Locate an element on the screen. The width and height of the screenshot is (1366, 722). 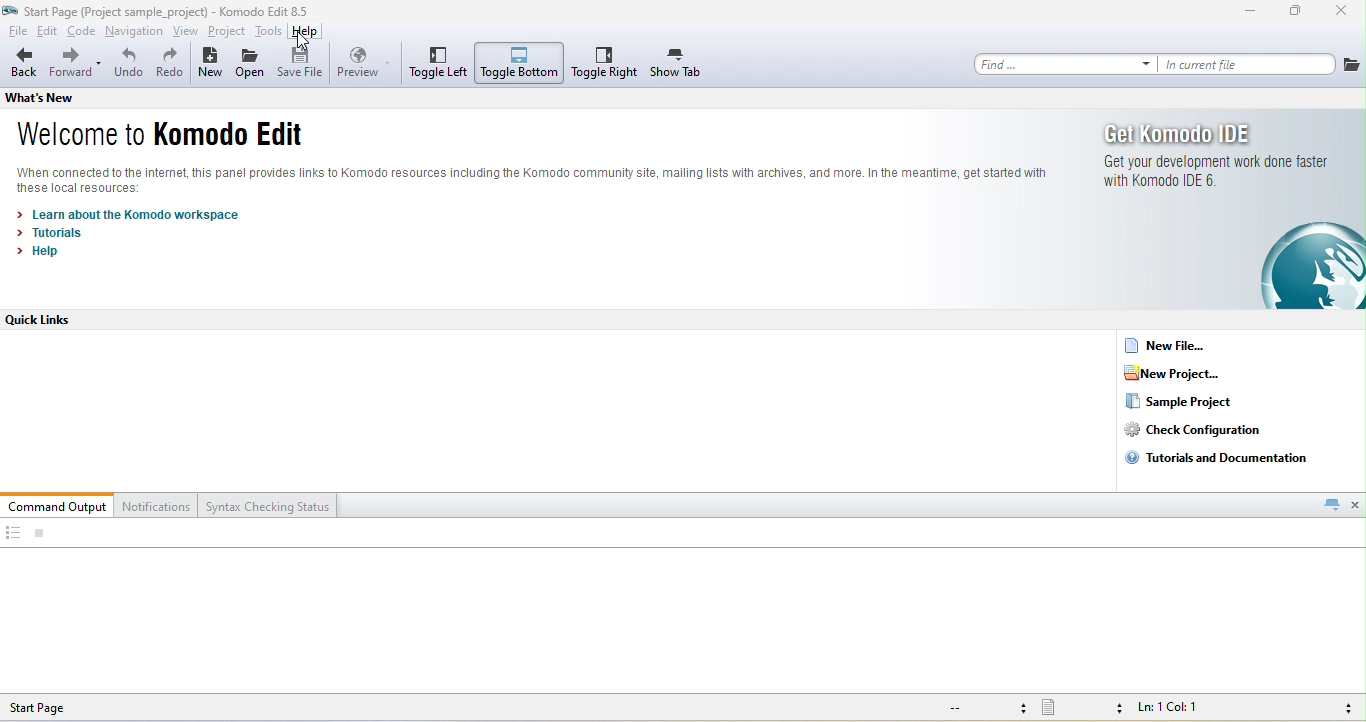
toggle view is located at coordinates (12, 534).